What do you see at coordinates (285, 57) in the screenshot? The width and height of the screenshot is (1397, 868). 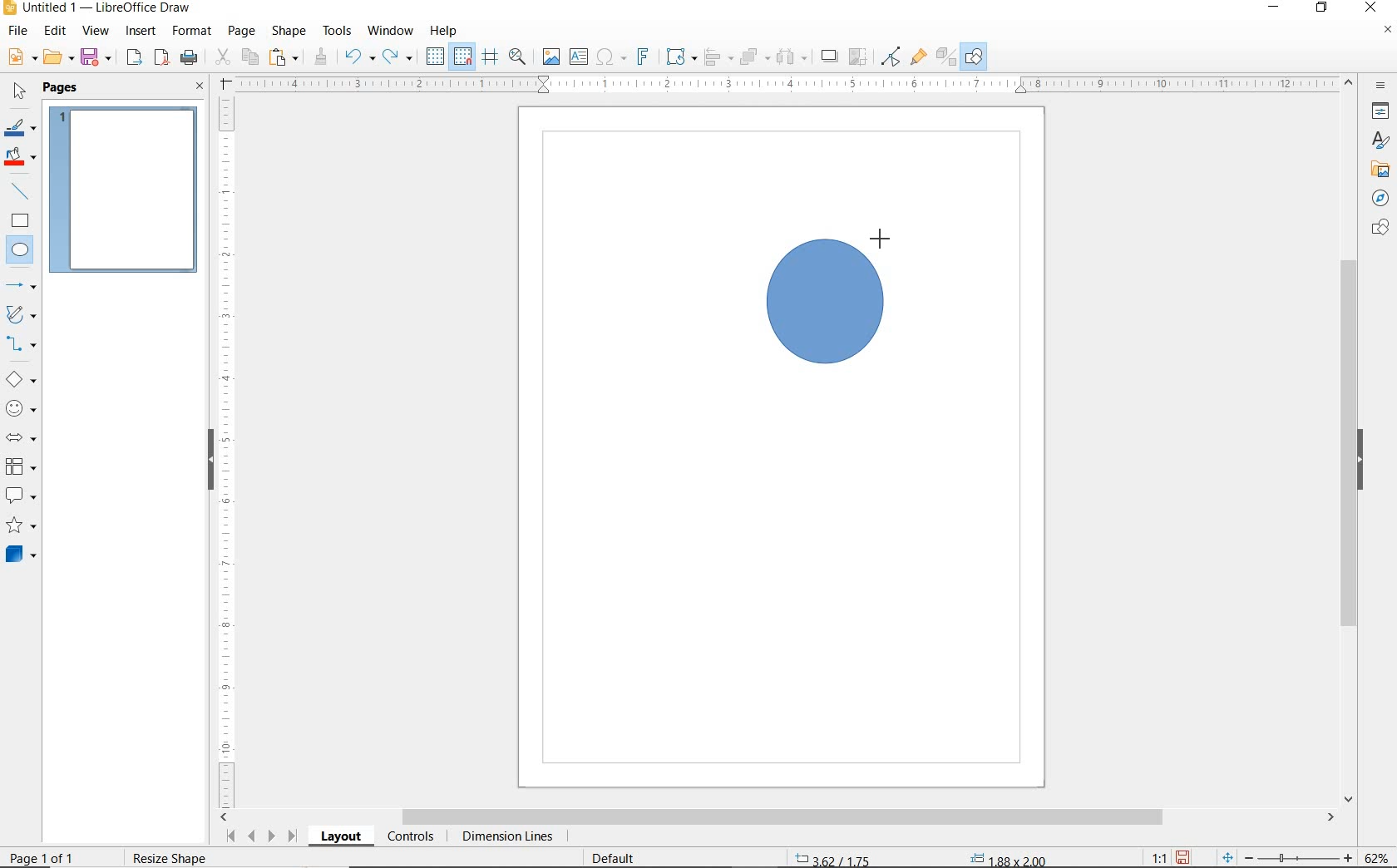 I see `PASTE` at bounding box center [285, 57].